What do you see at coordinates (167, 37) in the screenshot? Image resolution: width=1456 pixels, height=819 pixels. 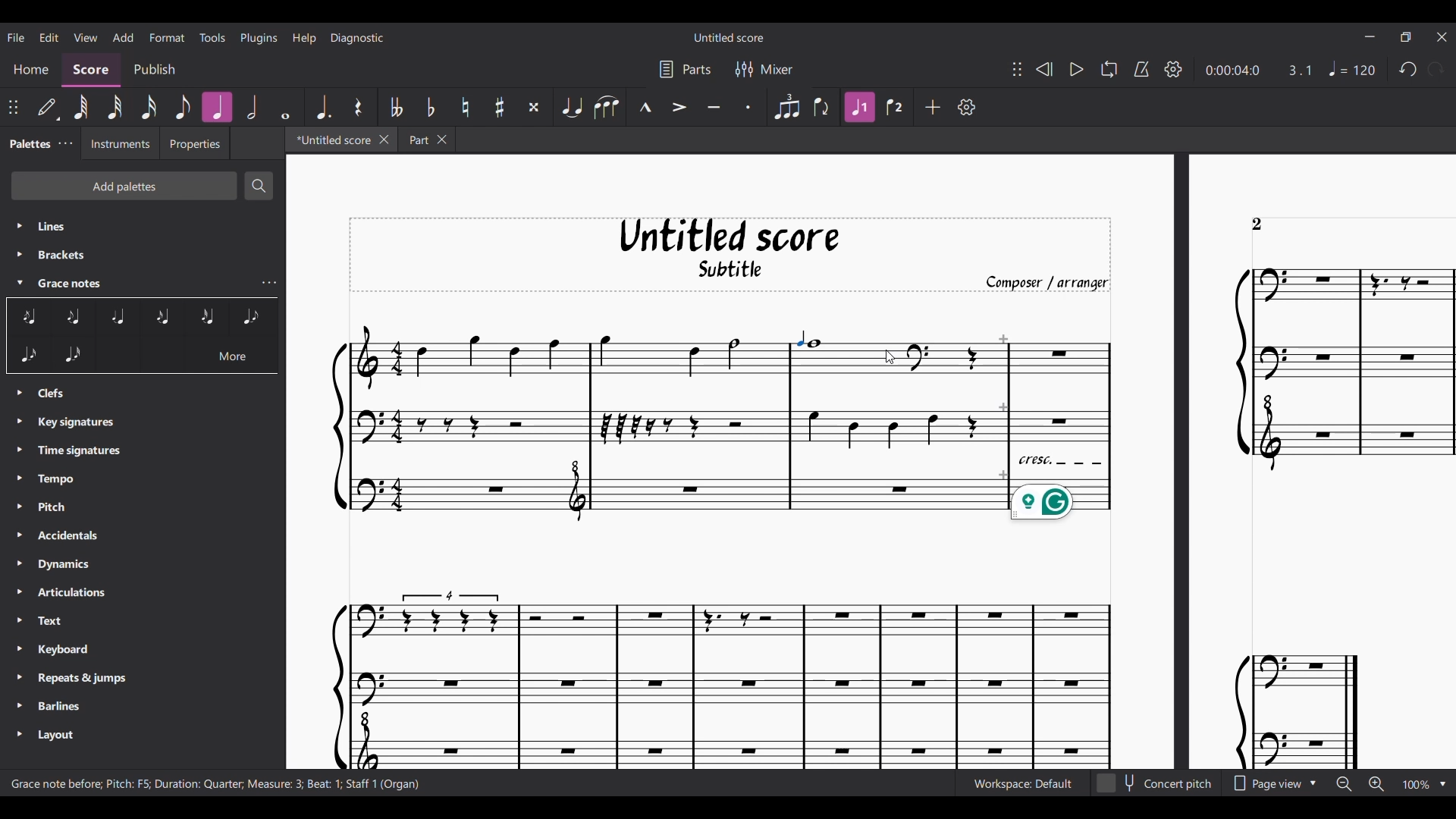 I see `Format menu` at bounding box center [167, 37].